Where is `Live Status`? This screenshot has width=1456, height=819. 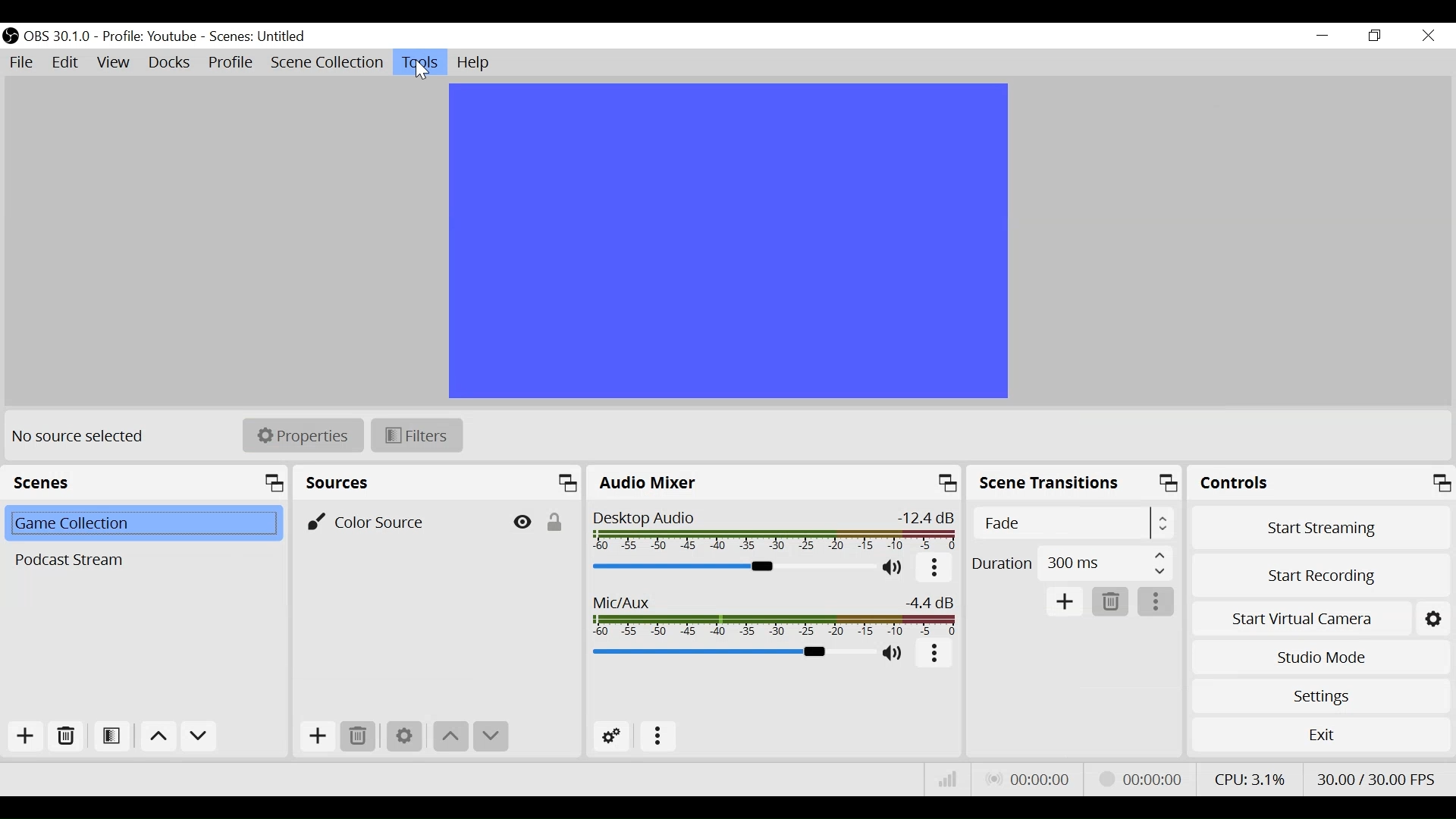
Live Status is located at coordinates (1030, 779).